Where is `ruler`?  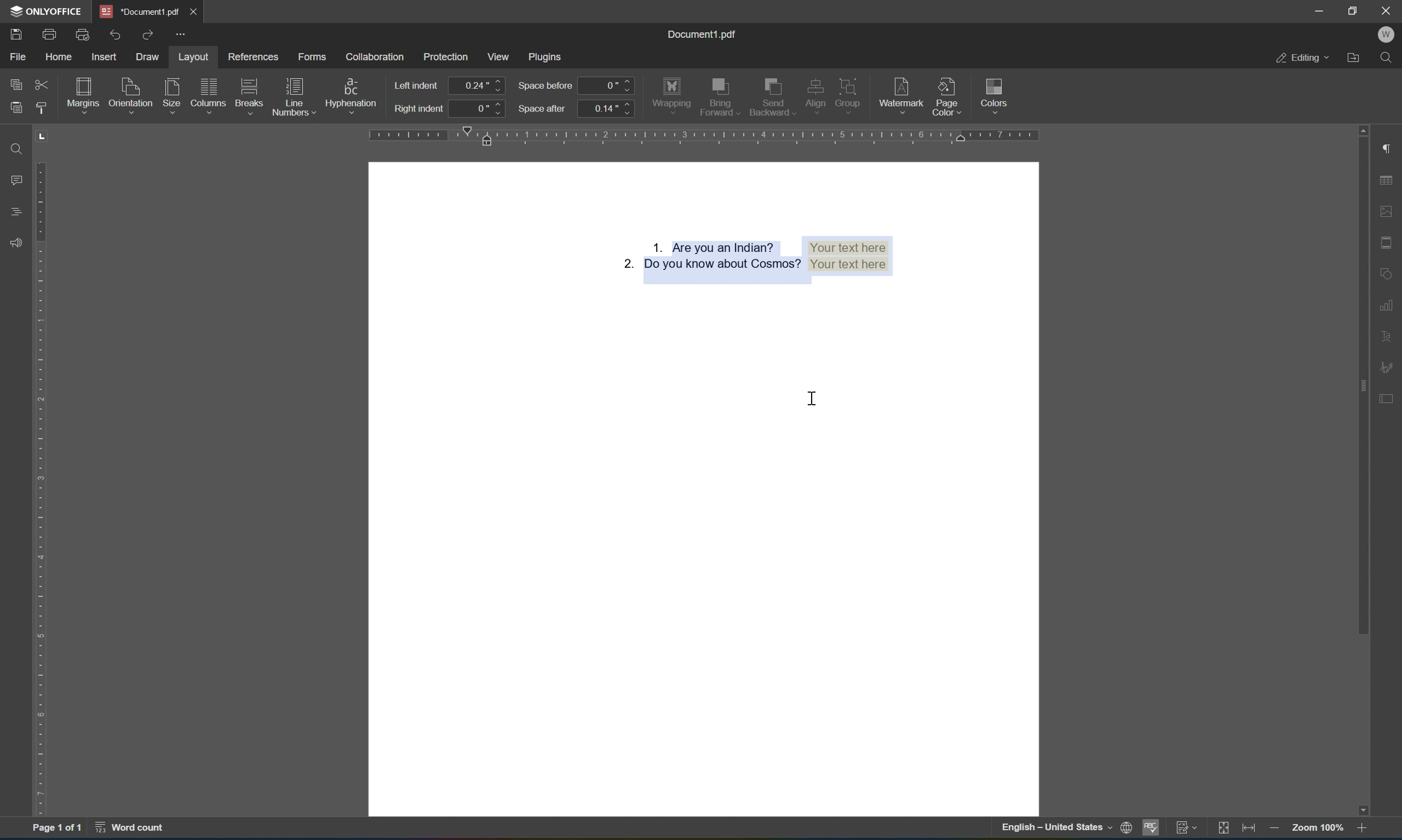
ruler is located at coordinates (43, 489).